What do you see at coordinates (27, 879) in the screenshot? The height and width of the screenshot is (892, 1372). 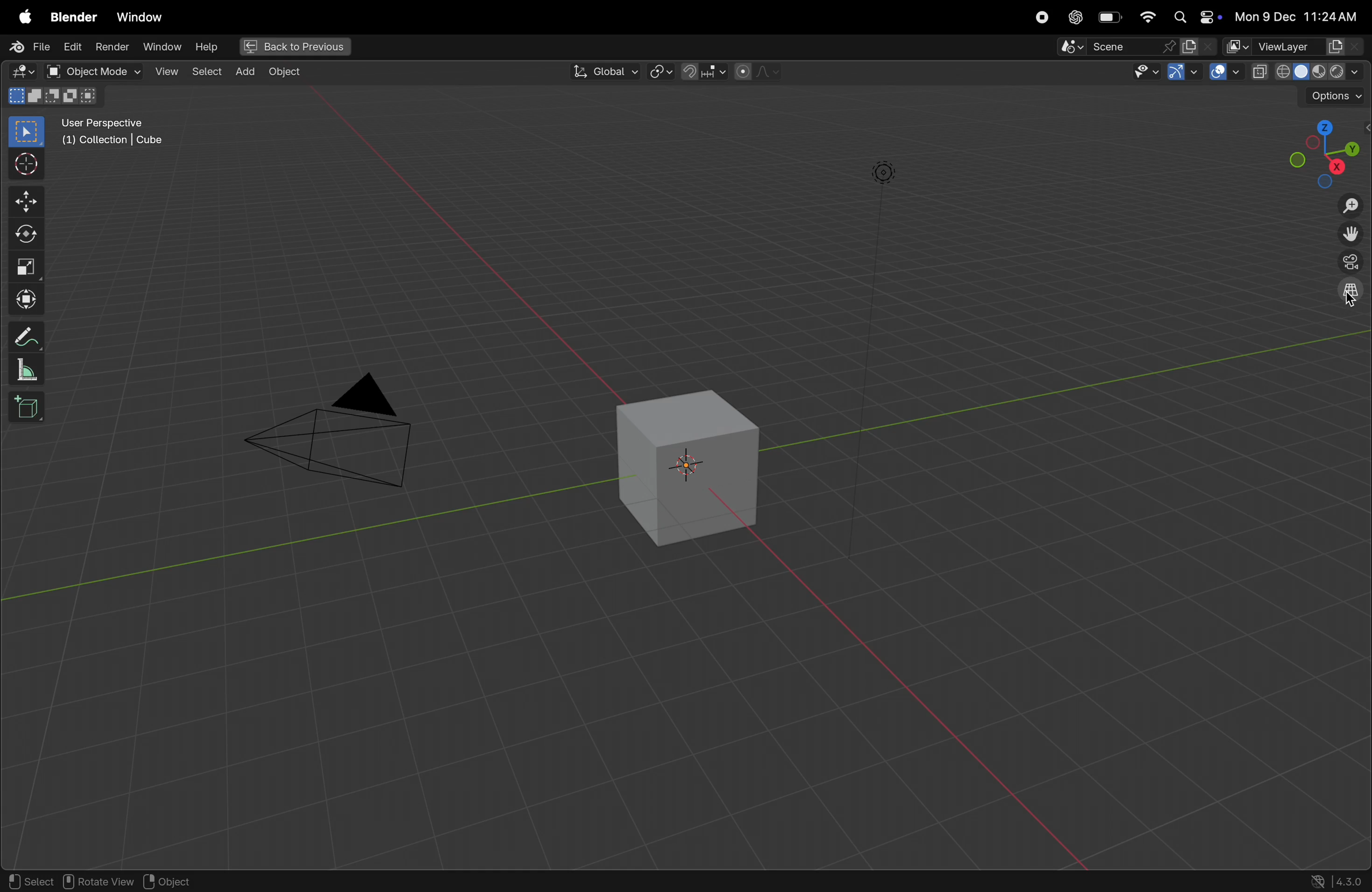 I see `select` at bounding box center [27, 879].